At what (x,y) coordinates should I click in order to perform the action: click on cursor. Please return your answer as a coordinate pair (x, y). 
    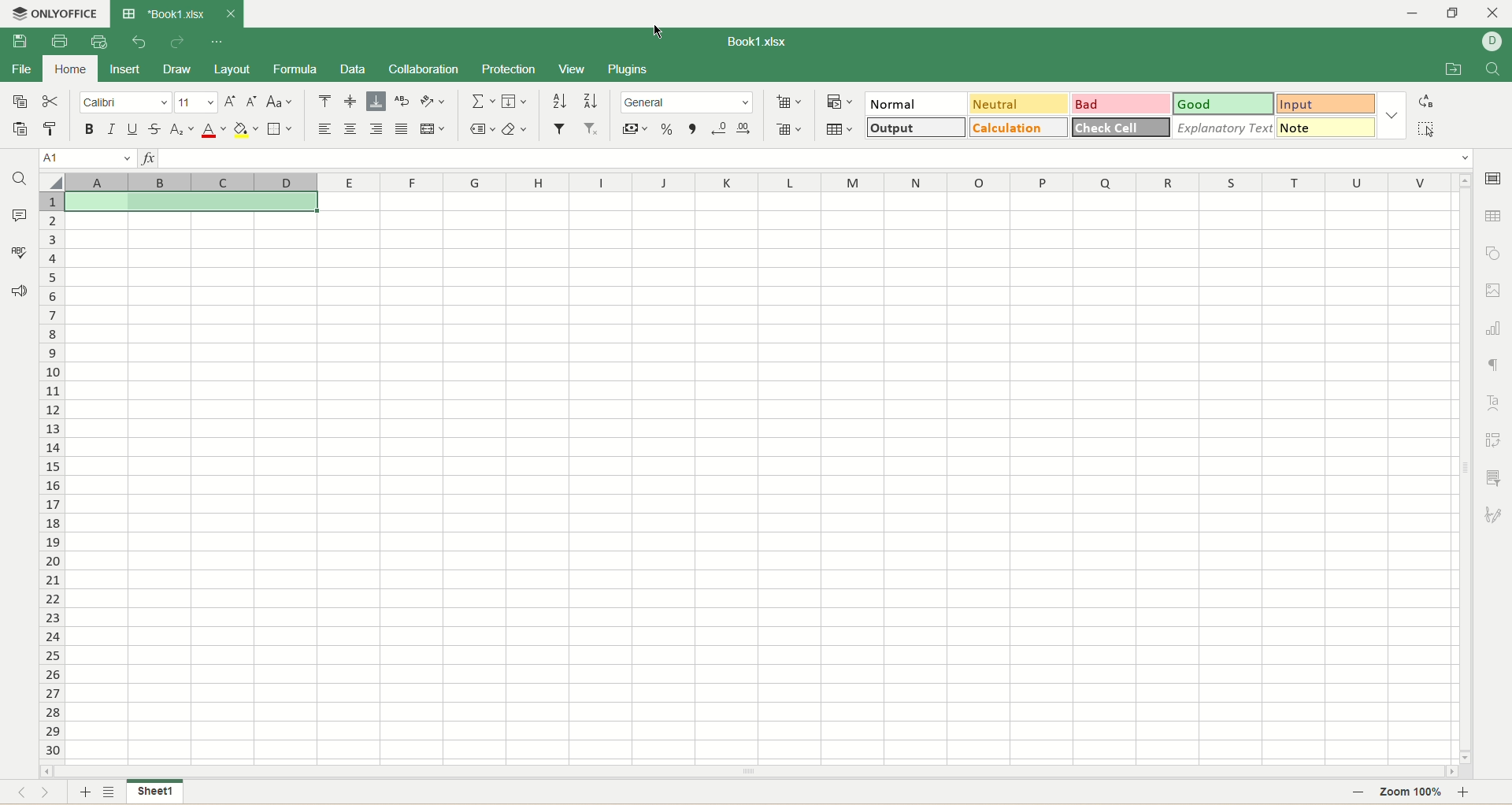
    Looking at the image, I should click on (654, 32).